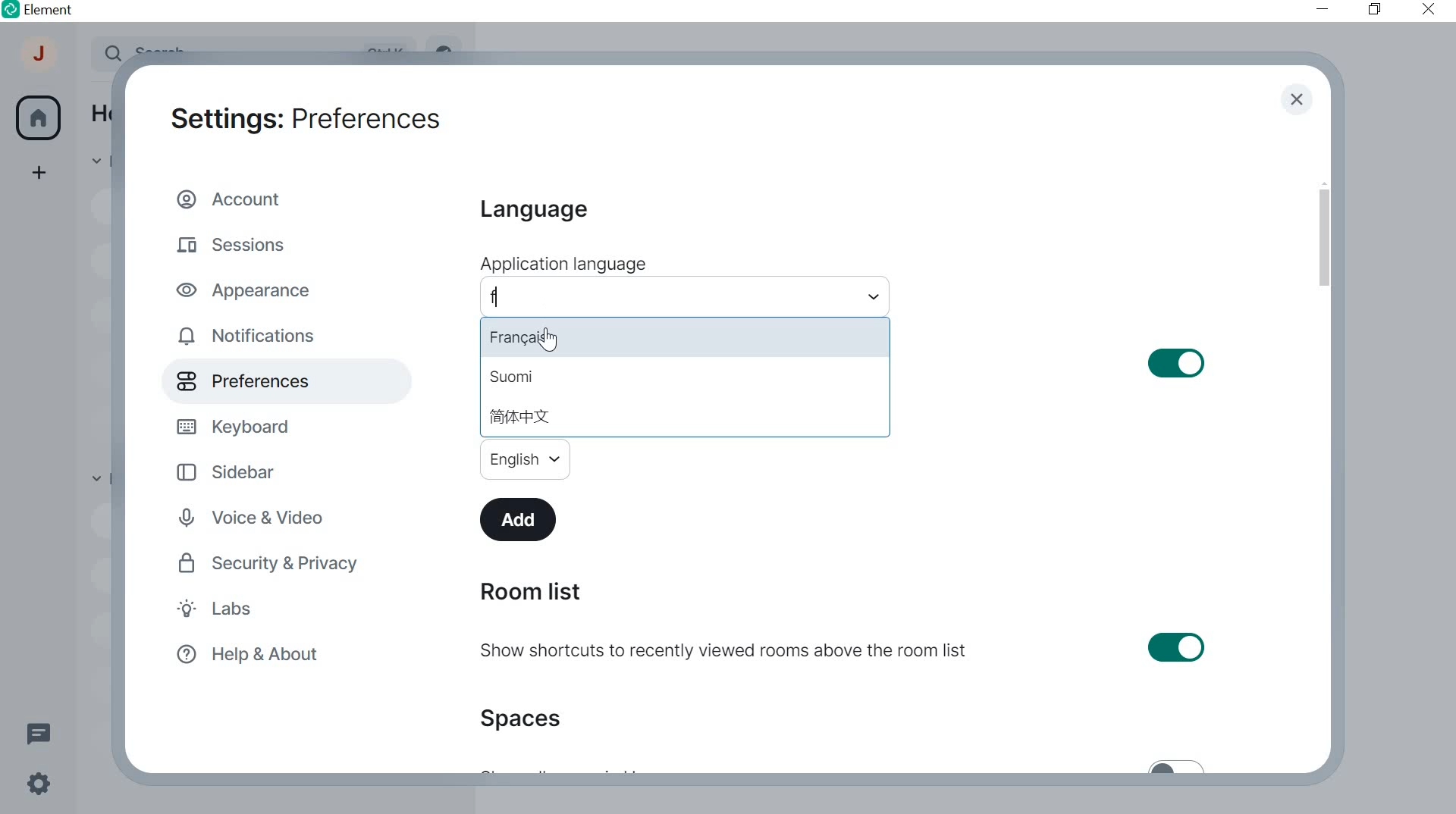 The height and width of the screenshot is (814, 1456). I want to click on CLOSE, so click(1296, 101).